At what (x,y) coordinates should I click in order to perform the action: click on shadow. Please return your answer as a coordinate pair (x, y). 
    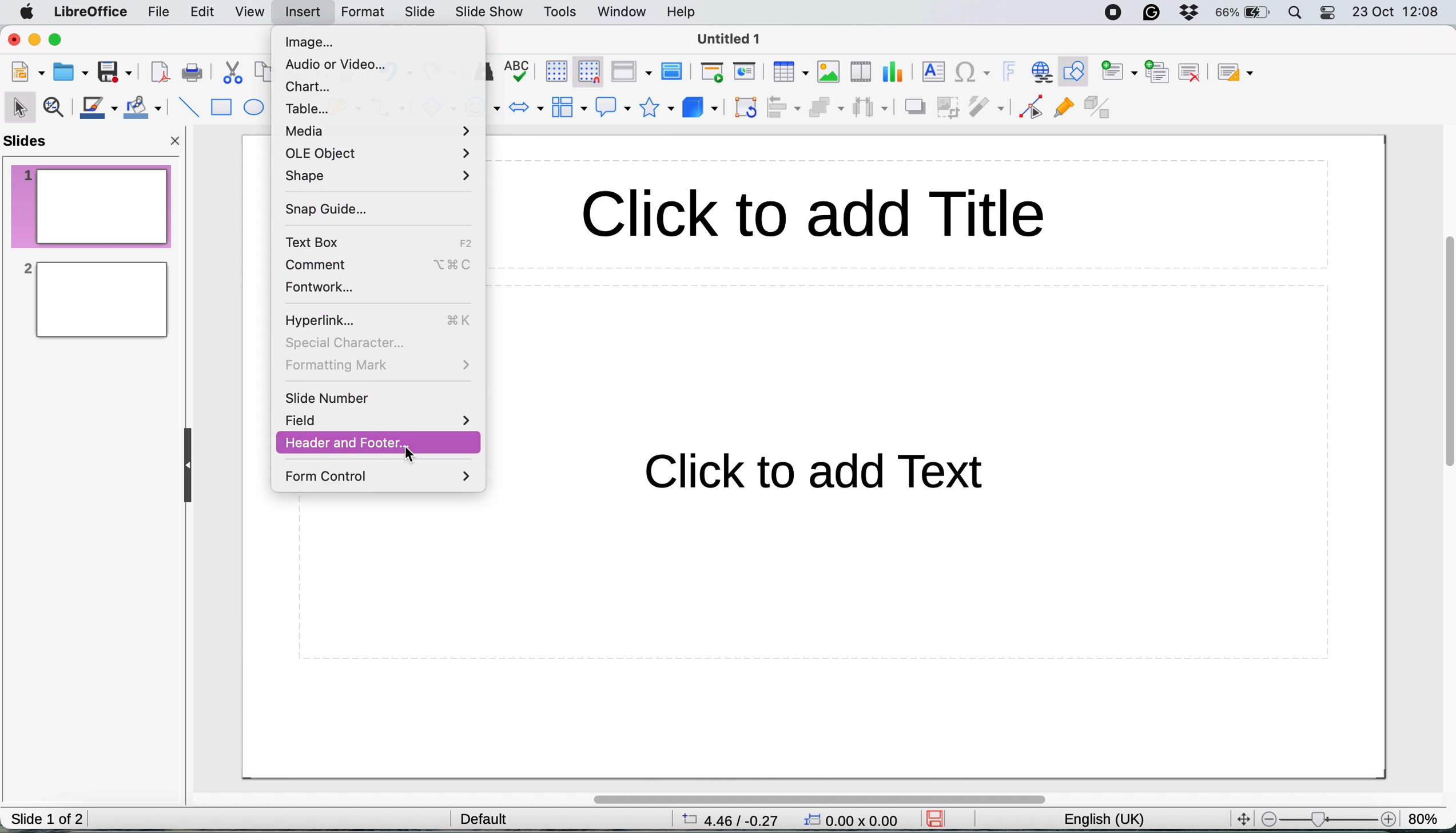
    Looking at the image, I should click on (914, 107).